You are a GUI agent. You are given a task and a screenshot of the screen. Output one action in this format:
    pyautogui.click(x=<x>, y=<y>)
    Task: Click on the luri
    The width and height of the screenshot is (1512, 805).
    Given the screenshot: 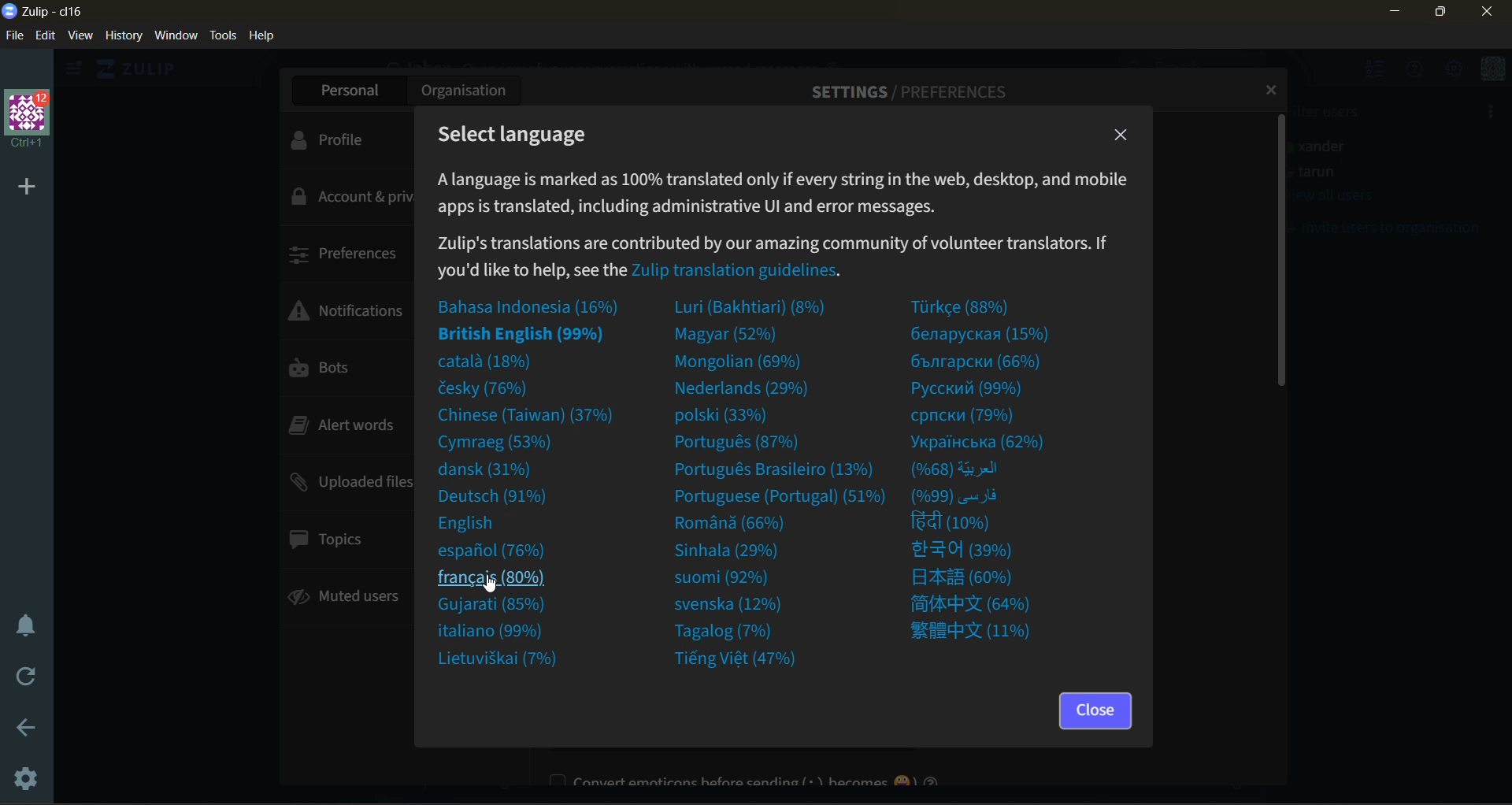 What is the action you would take?
    pyautogui.click(x=747, y=306)
    